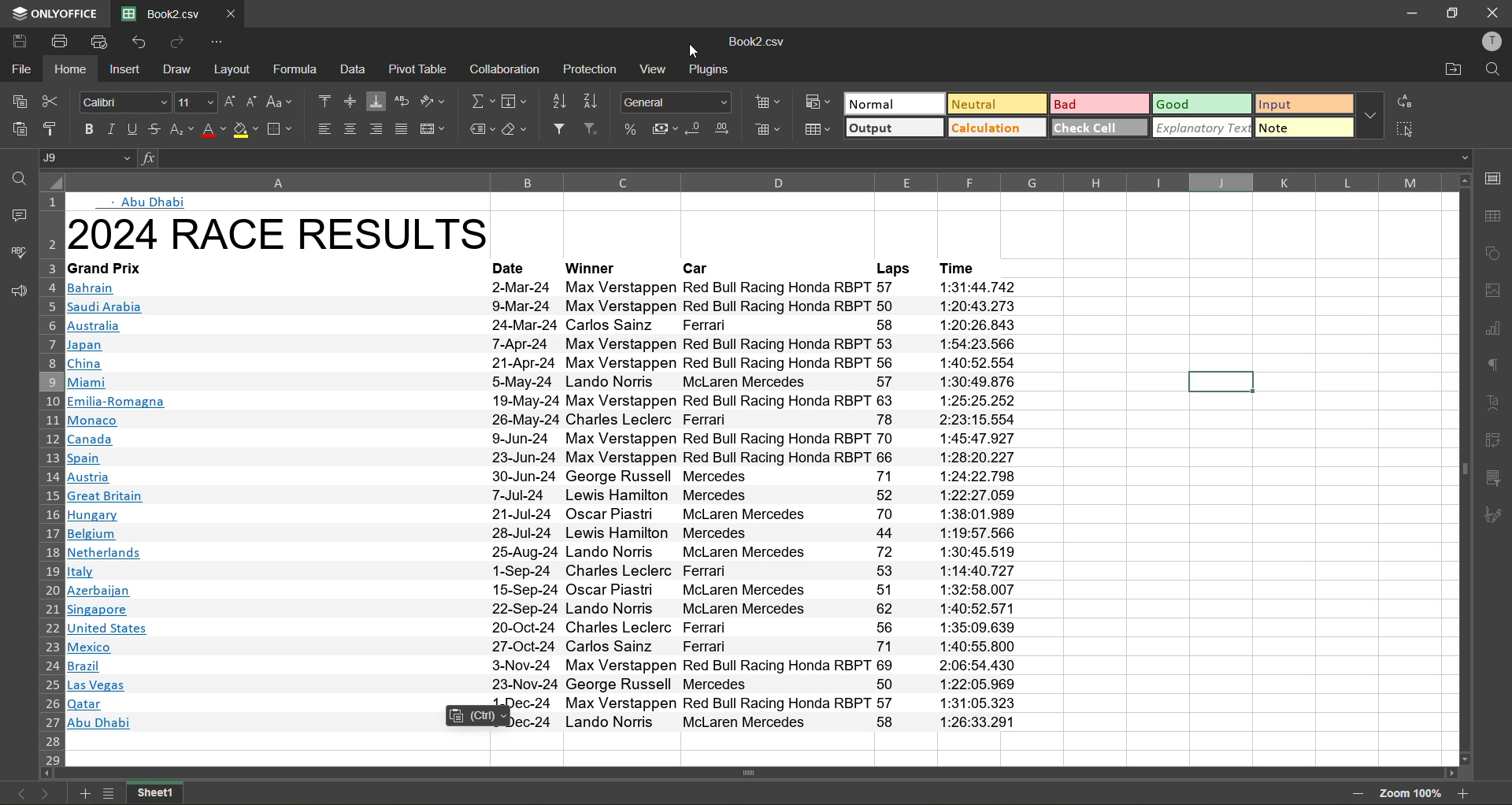  What do you see at coordinates (547, 610) in the screenshot?
I see `text info` at bounding box center [547, 610].